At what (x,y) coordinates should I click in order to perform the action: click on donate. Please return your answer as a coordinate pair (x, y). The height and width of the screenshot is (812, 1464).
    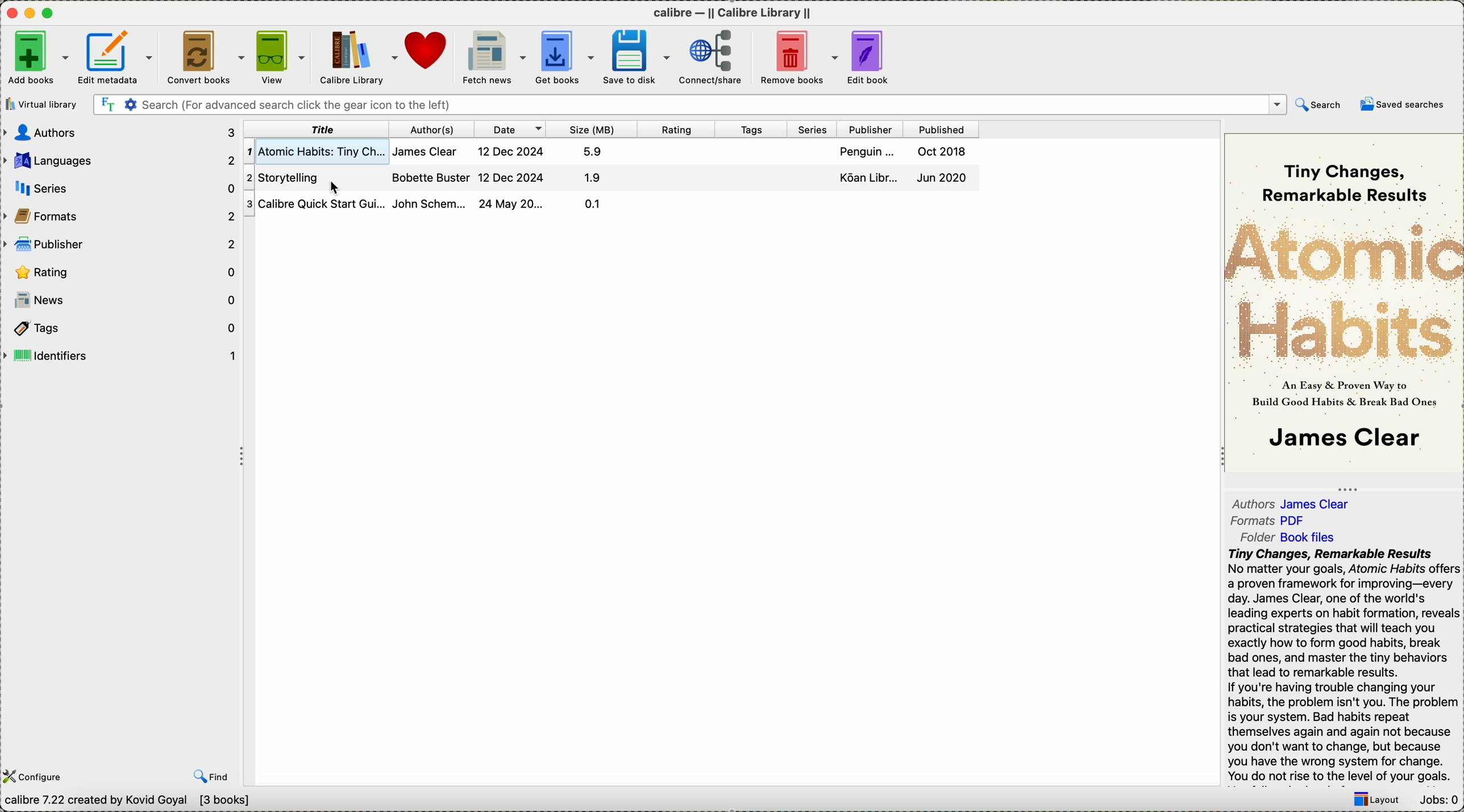
    Looking at the image, I should click on (428, 50).